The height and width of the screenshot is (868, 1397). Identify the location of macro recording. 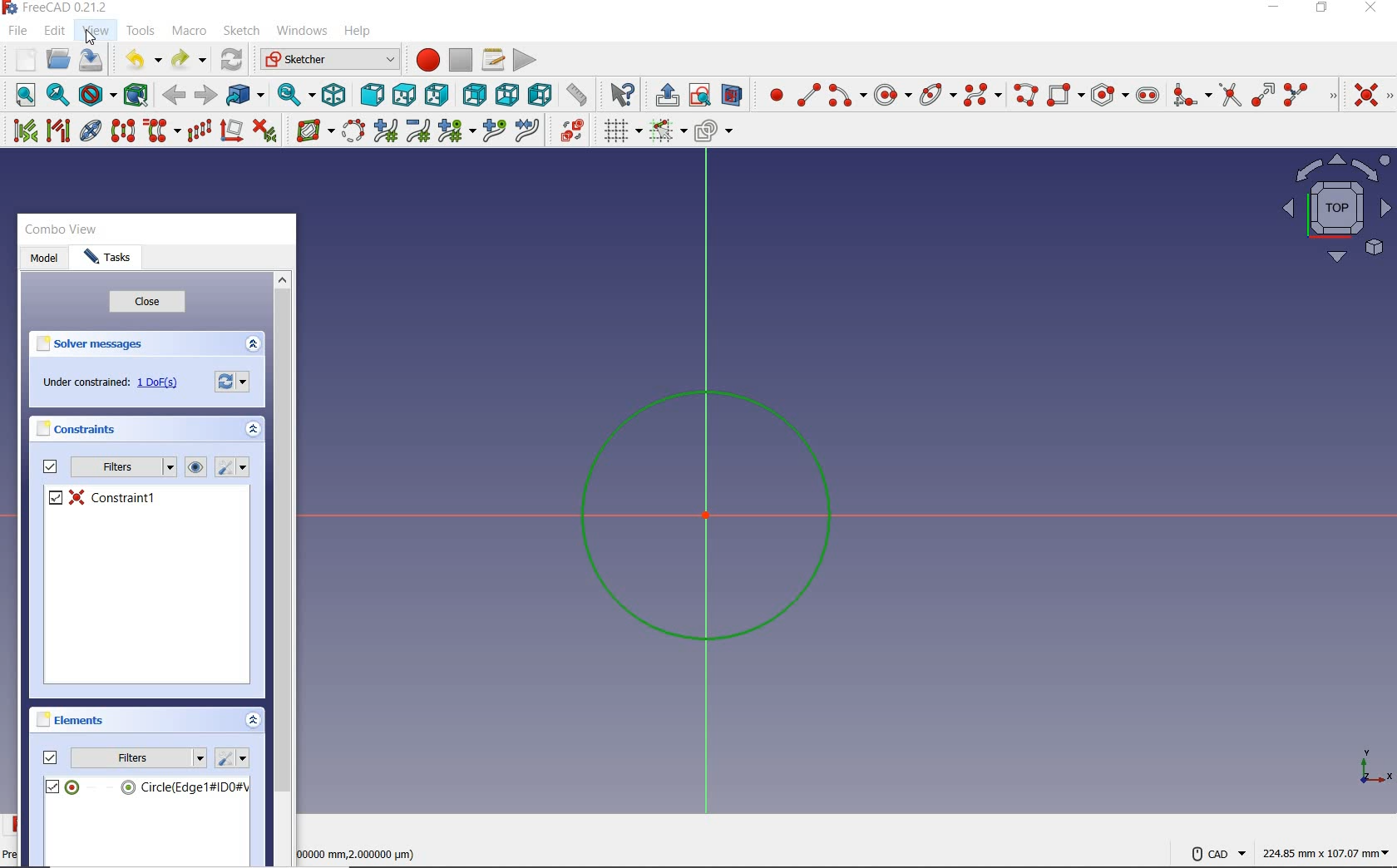
(426, 59).